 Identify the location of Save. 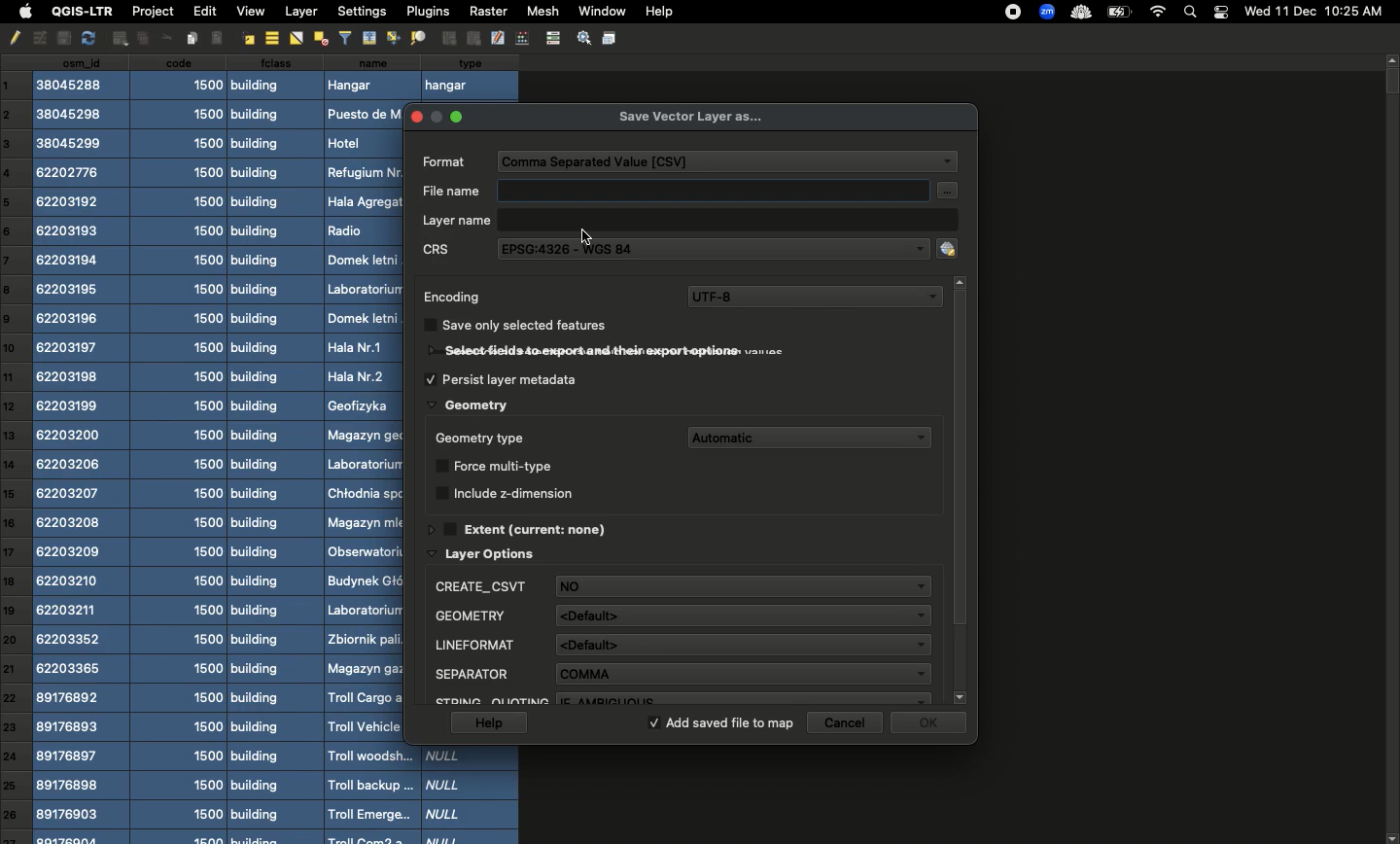
(611, 38).